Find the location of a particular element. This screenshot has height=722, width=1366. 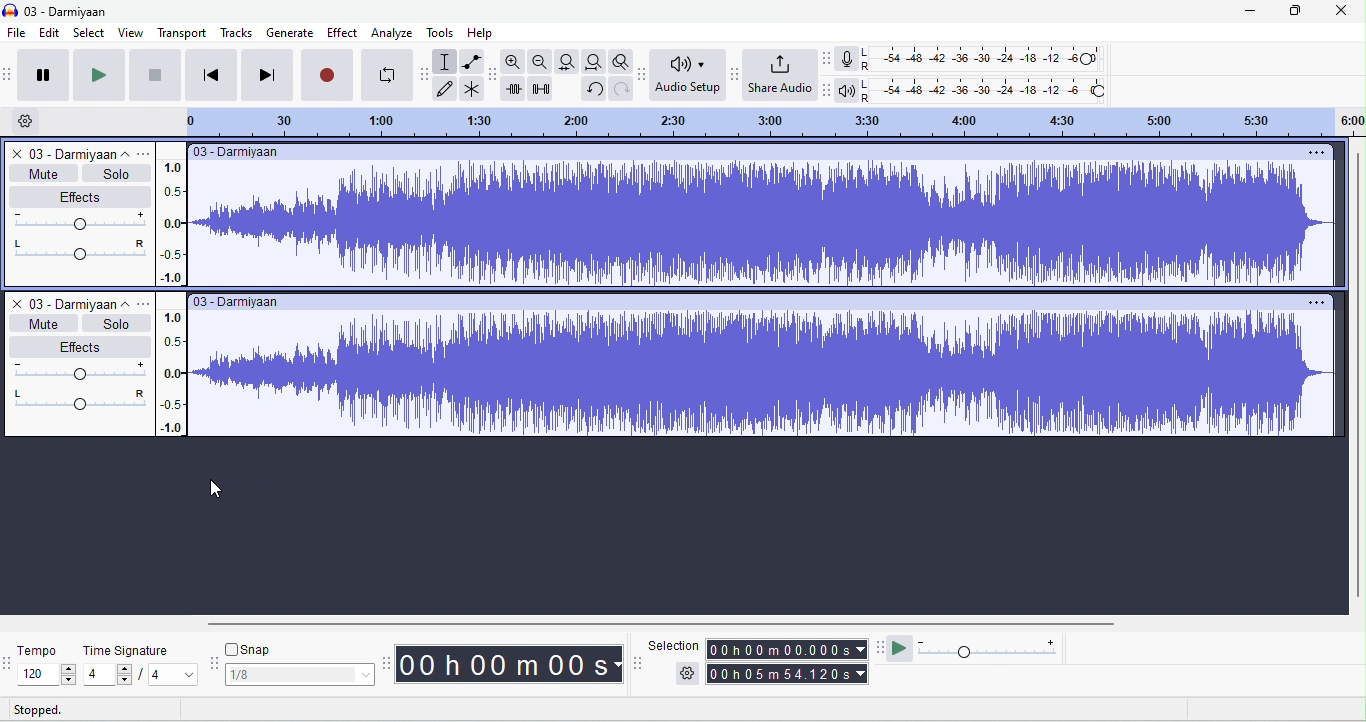

tempo options is located at coordinates (9, 663).